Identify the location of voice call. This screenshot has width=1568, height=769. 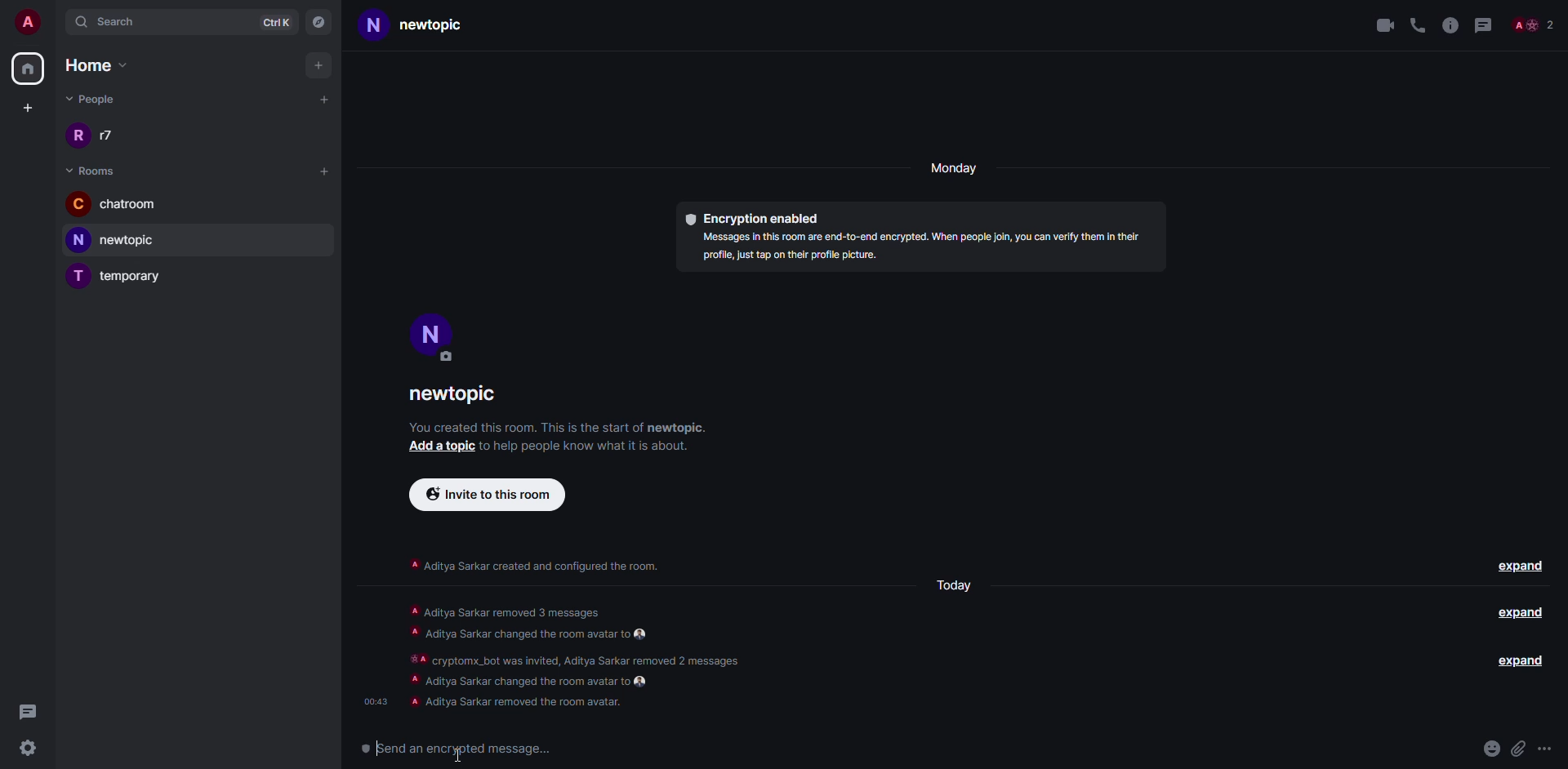
(1418, 23).